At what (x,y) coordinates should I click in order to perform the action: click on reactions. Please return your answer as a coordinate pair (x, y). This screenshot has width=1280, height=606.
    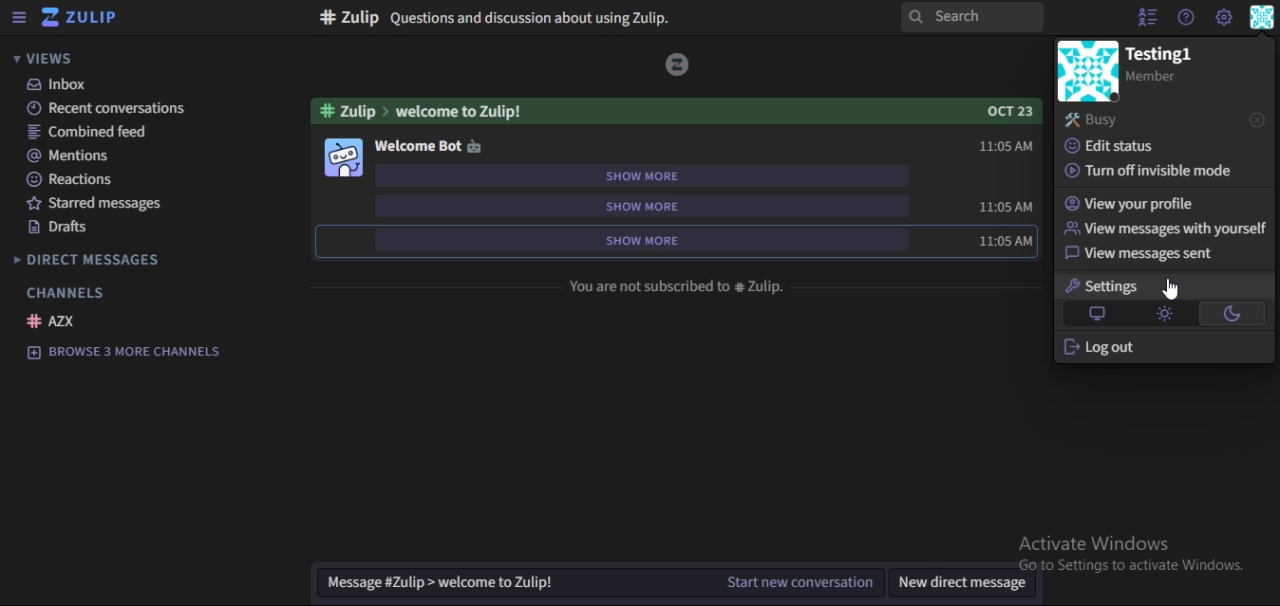
    Looking at the image, I should click on (74, 178).